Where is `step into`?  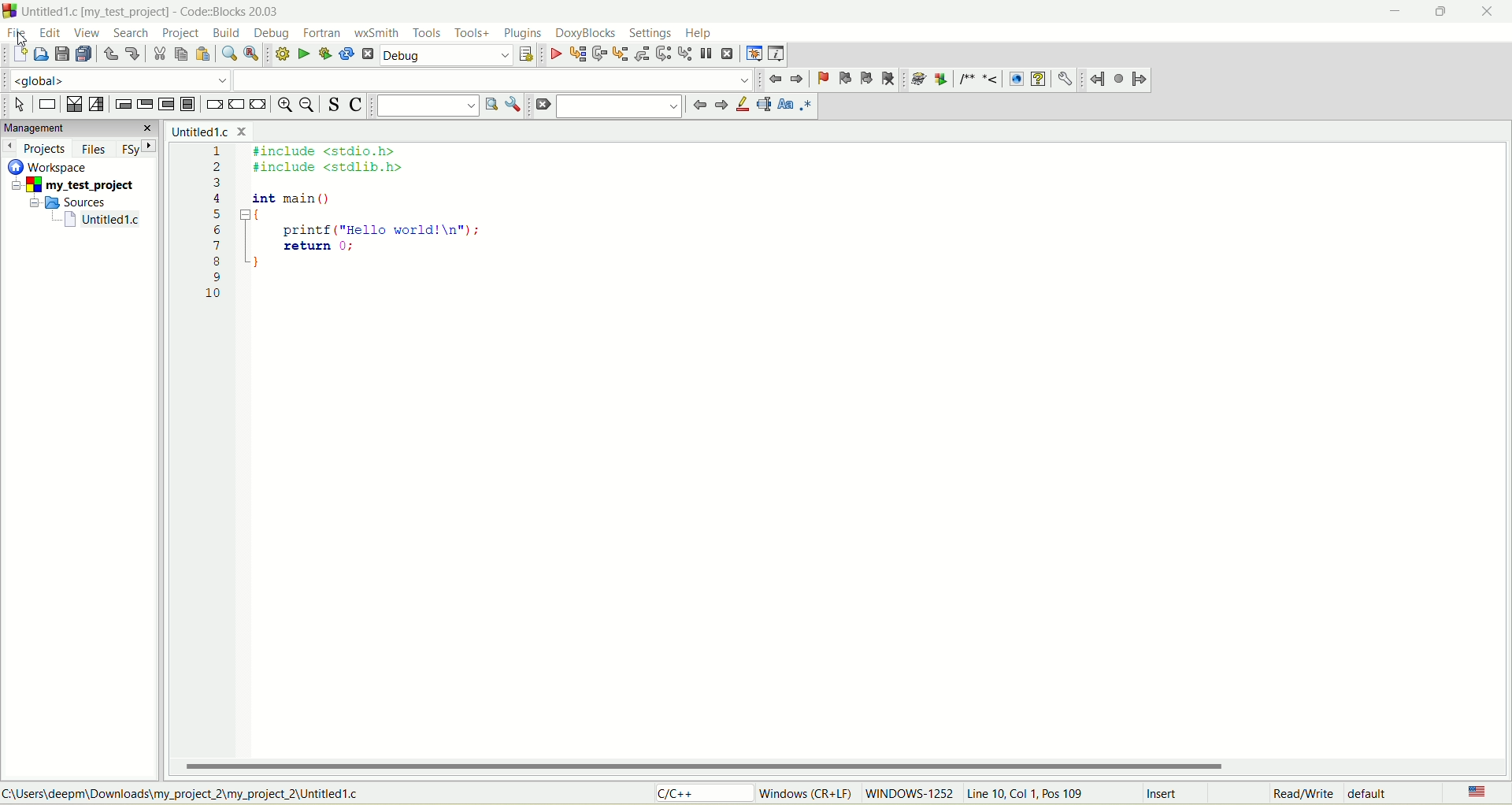
step into is located at coordinates (621, 54).